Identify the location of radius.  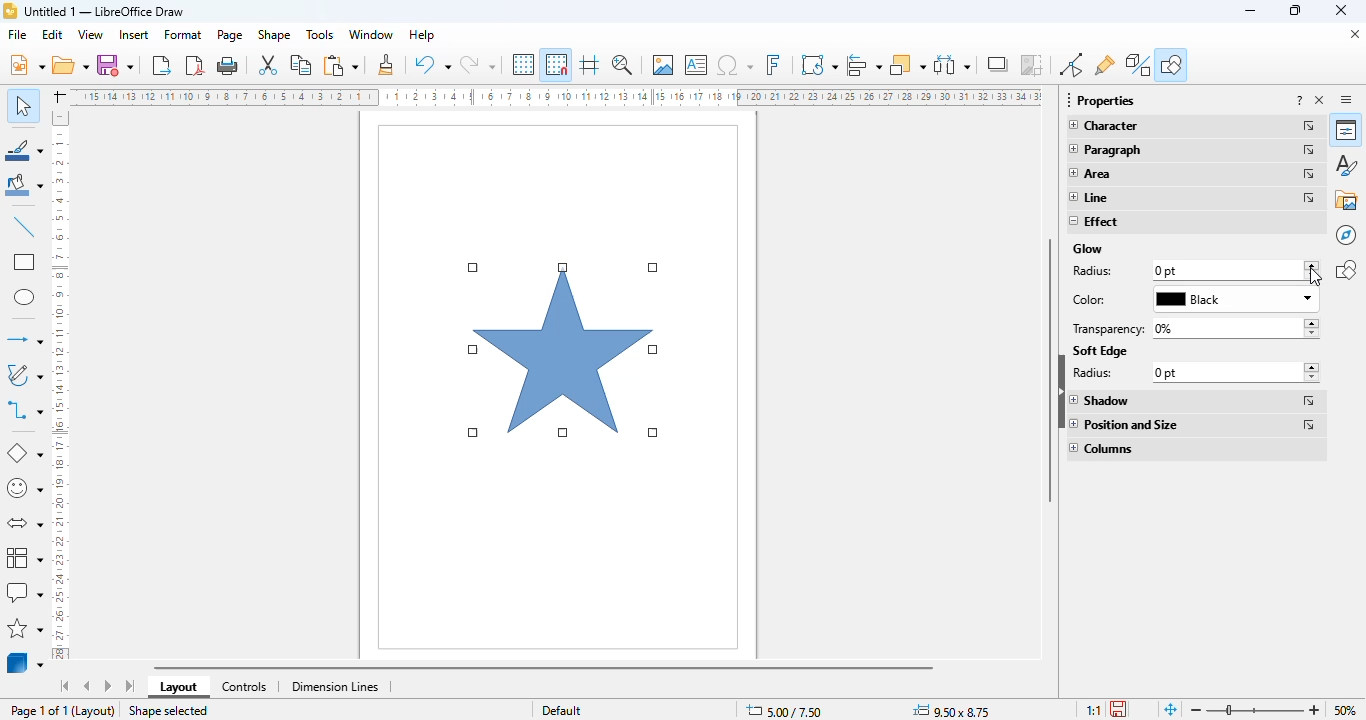
(1096, 272).